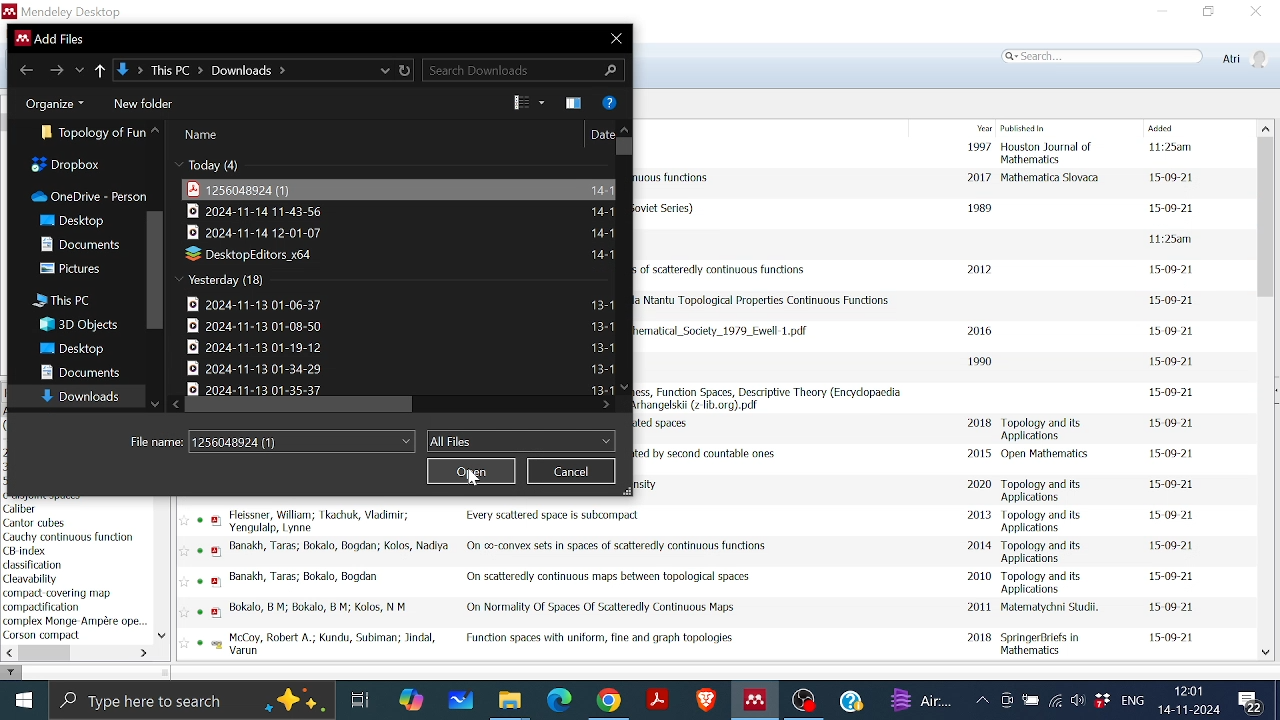 This screenshot has width=1280, height=720. What do you see at coordinates (159, 636) in the screenshot?
I see `Move down in filter by author keywords` at bounding box center [159, 636].